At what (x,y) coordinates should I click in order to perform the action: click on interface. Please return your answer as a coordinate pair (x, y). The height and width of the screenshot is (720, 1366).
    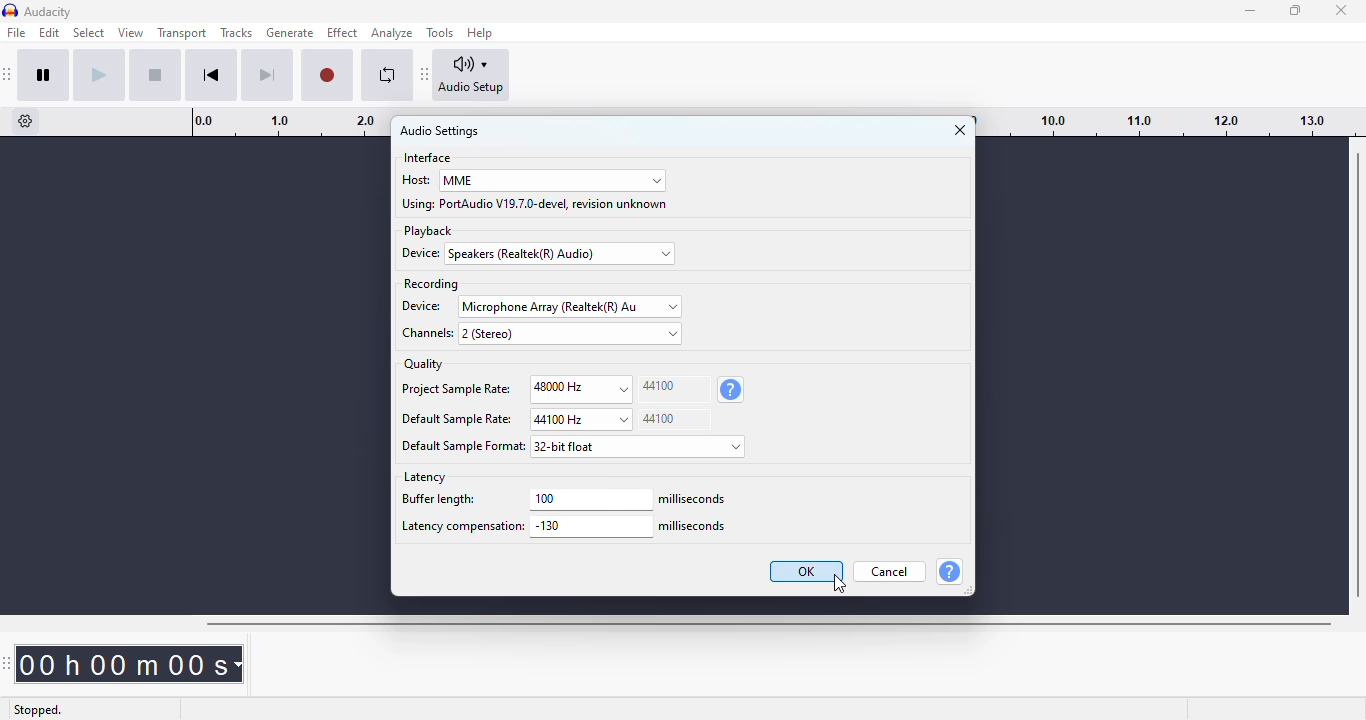
    Looking at the image, I should click on (428, 158).